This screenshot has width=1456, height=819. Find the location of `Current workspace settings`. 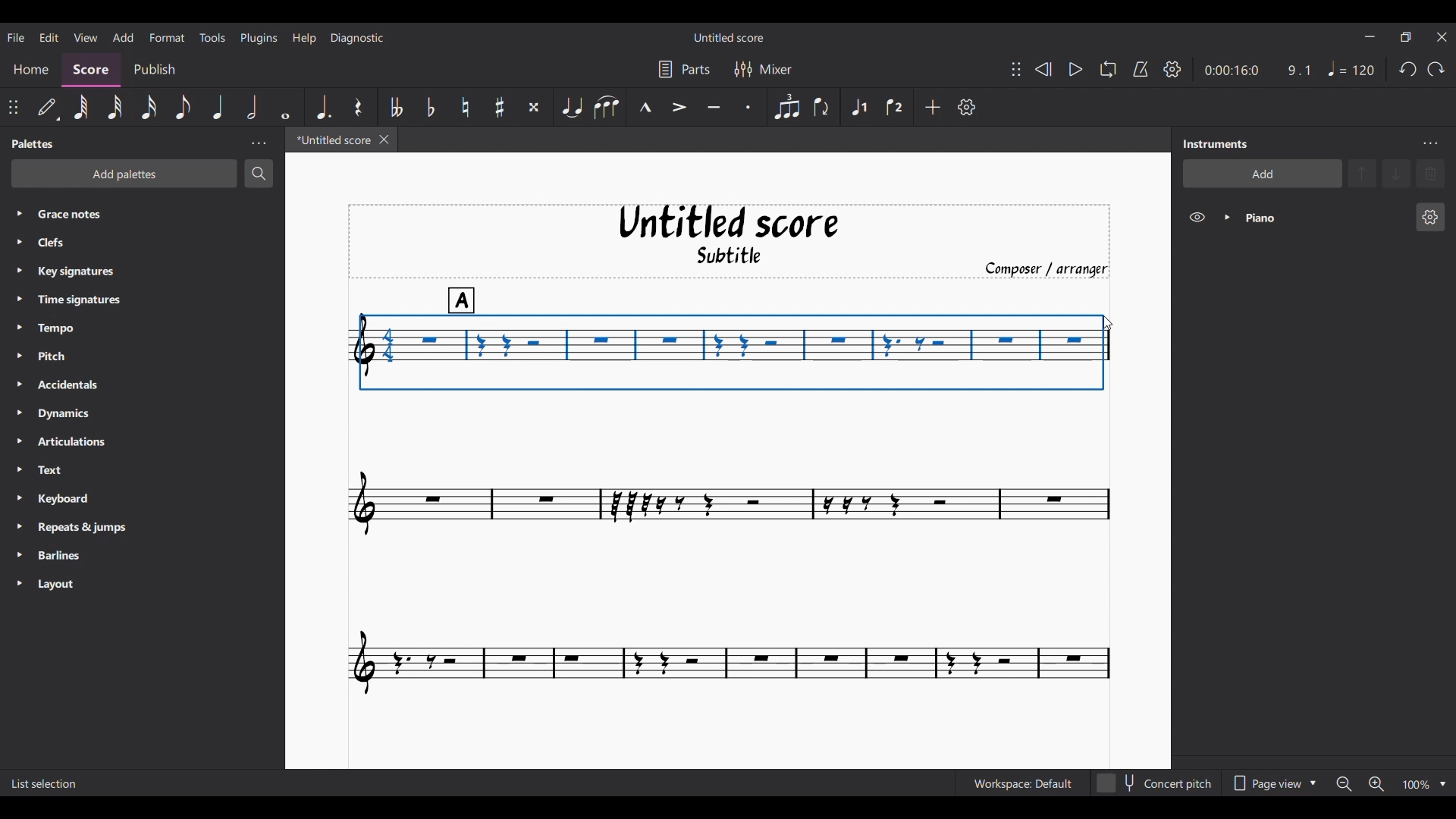

Current workspace settings is located at coordinates (1022, 783).